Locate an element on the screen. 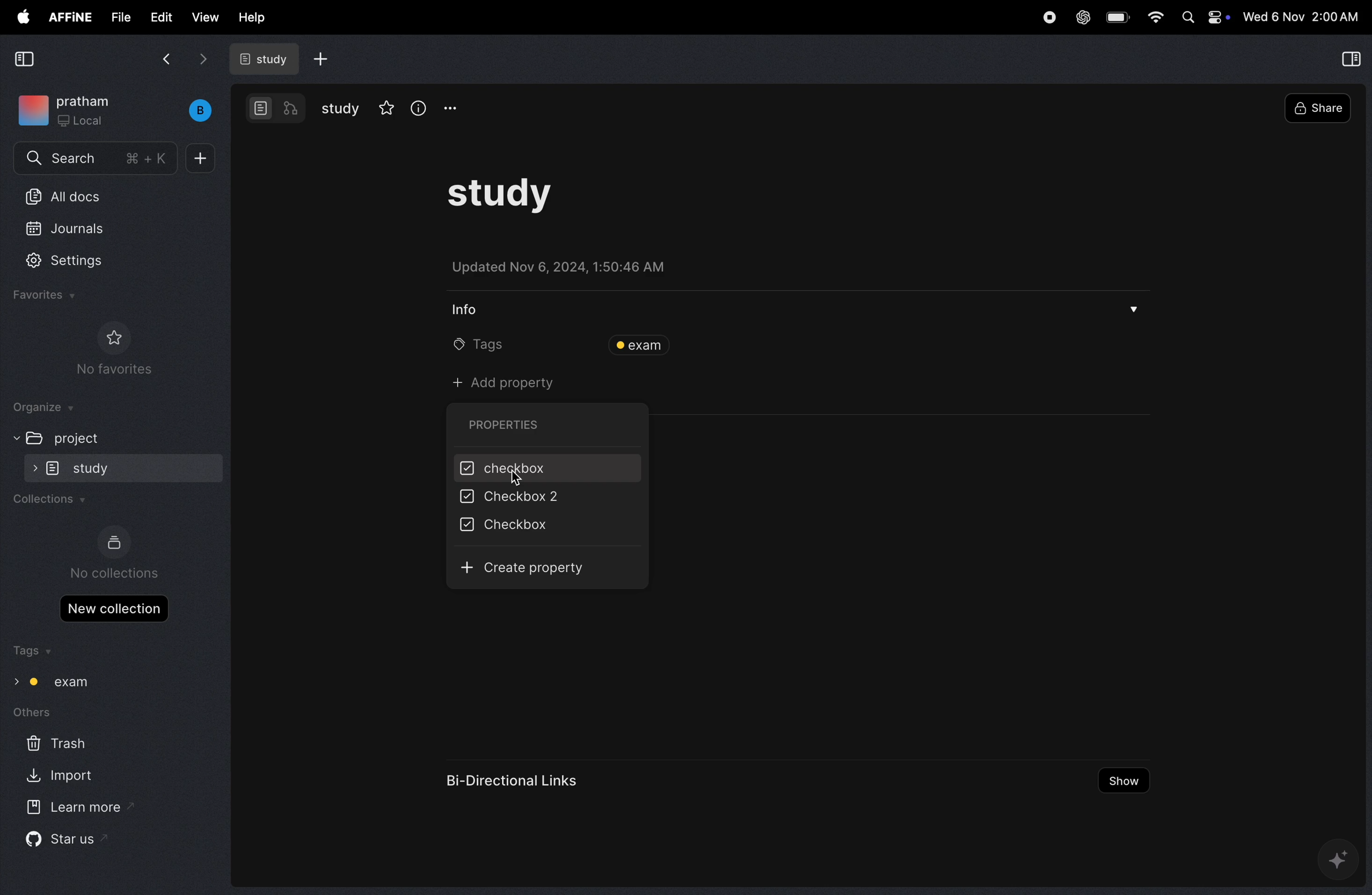  favourites is located at coordinates (47, 296).